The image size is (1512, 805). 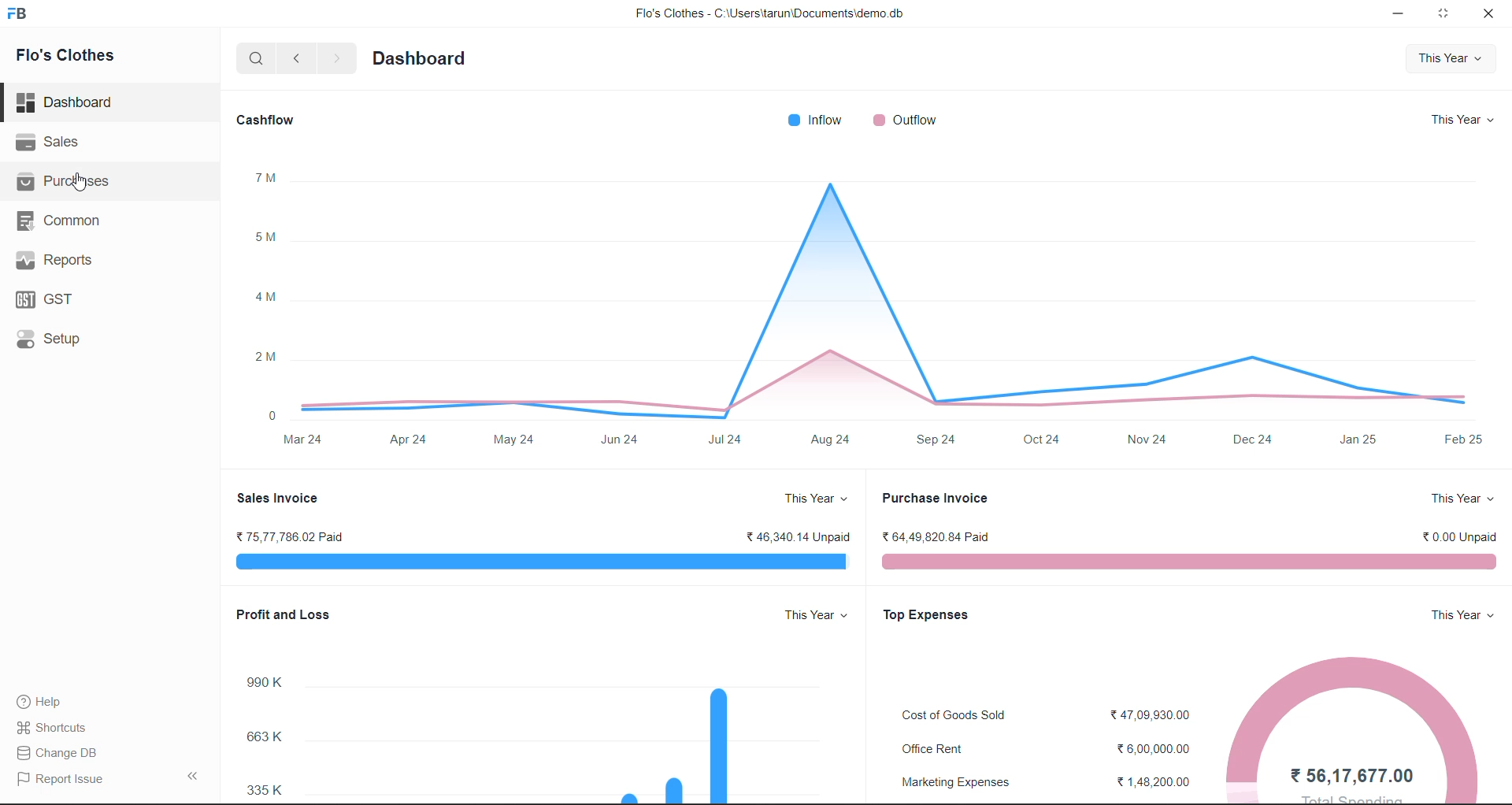 What do you see at coordinates (265, 791) in the screenshot?
I see `335K` at bounding box center [265, 791].